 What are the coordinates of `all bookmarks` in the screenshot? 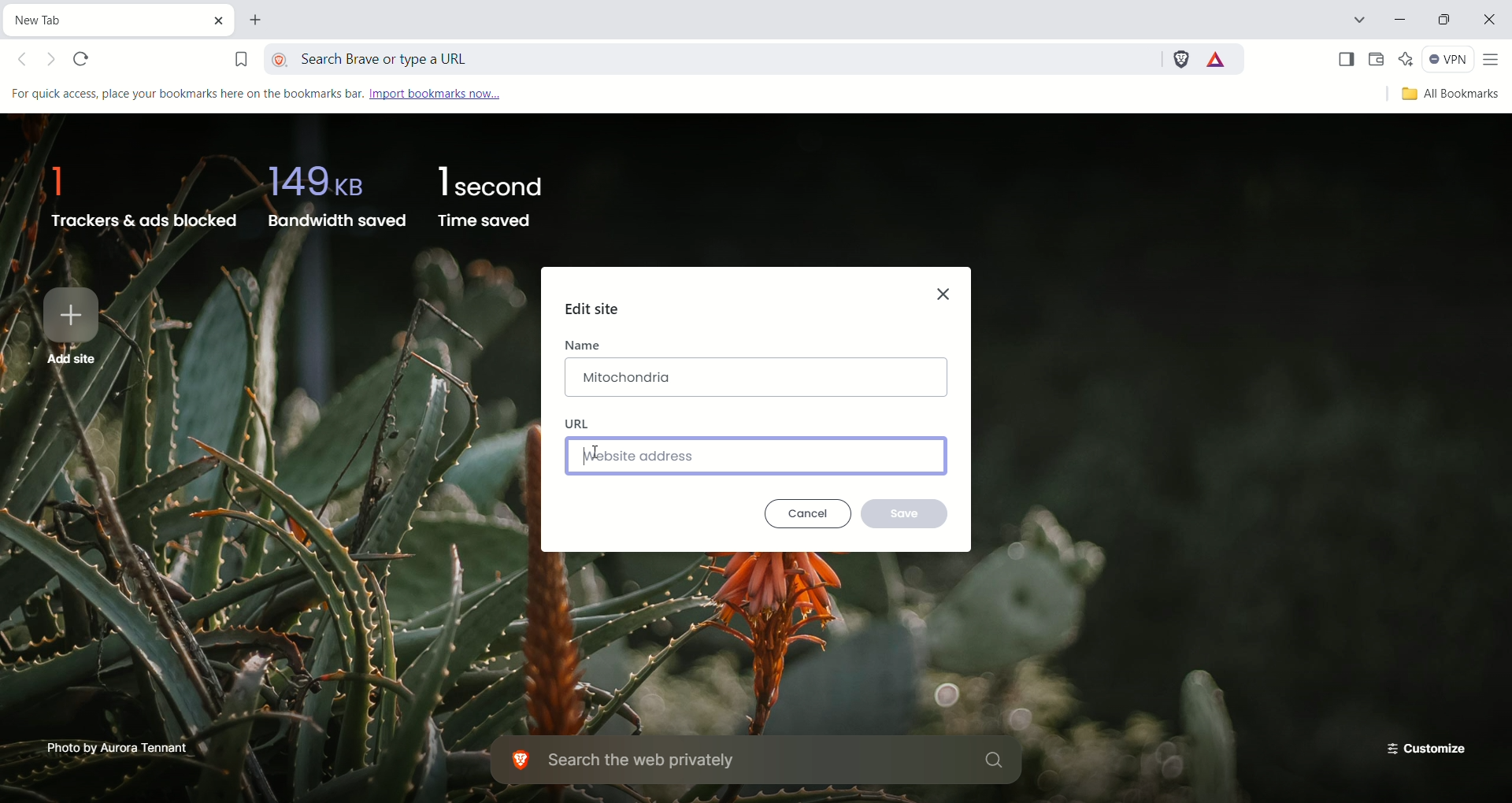 It's located at (1447, 95).